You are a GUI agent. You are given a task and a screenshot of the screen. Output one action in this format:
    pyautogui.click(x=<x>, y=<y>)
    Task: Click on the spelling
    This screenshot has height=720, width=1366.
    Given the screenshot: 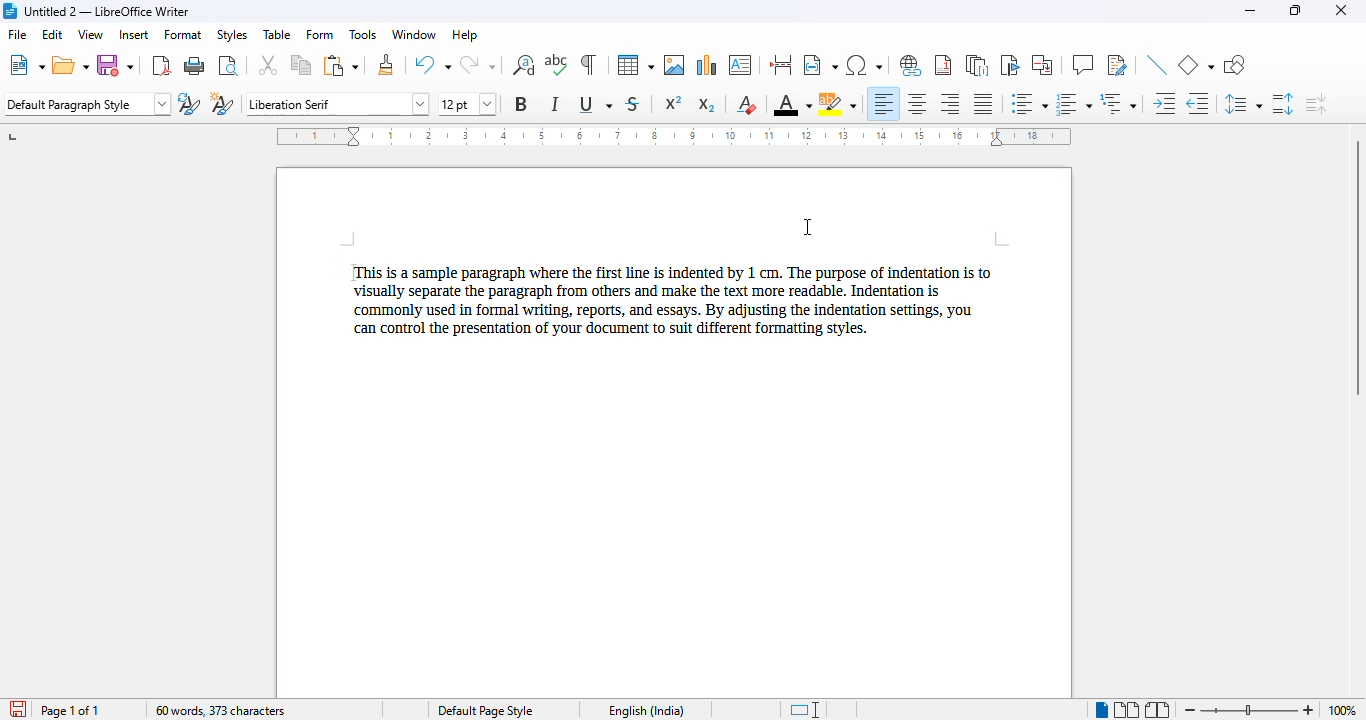 What is the action you would take?
    pyautogui.click(x=557, y=64)
    